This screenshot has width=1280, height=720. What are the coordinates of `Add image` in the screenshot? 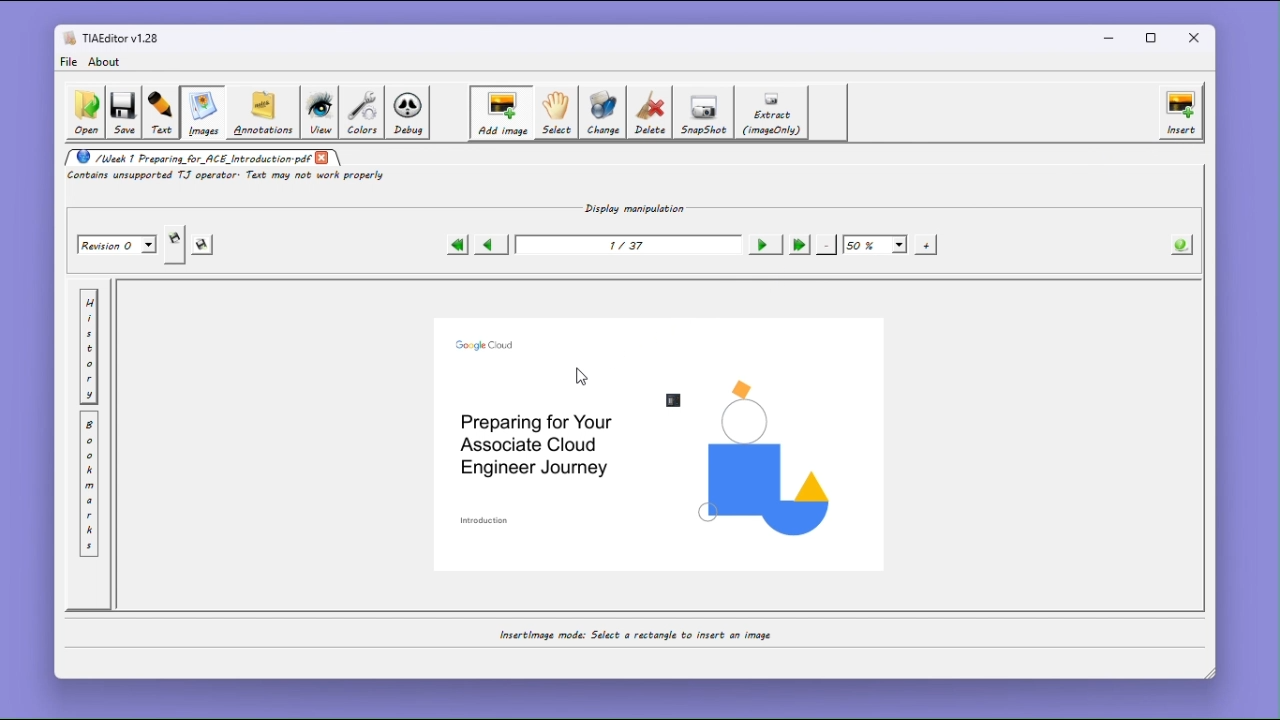 It's located at (500, 113).